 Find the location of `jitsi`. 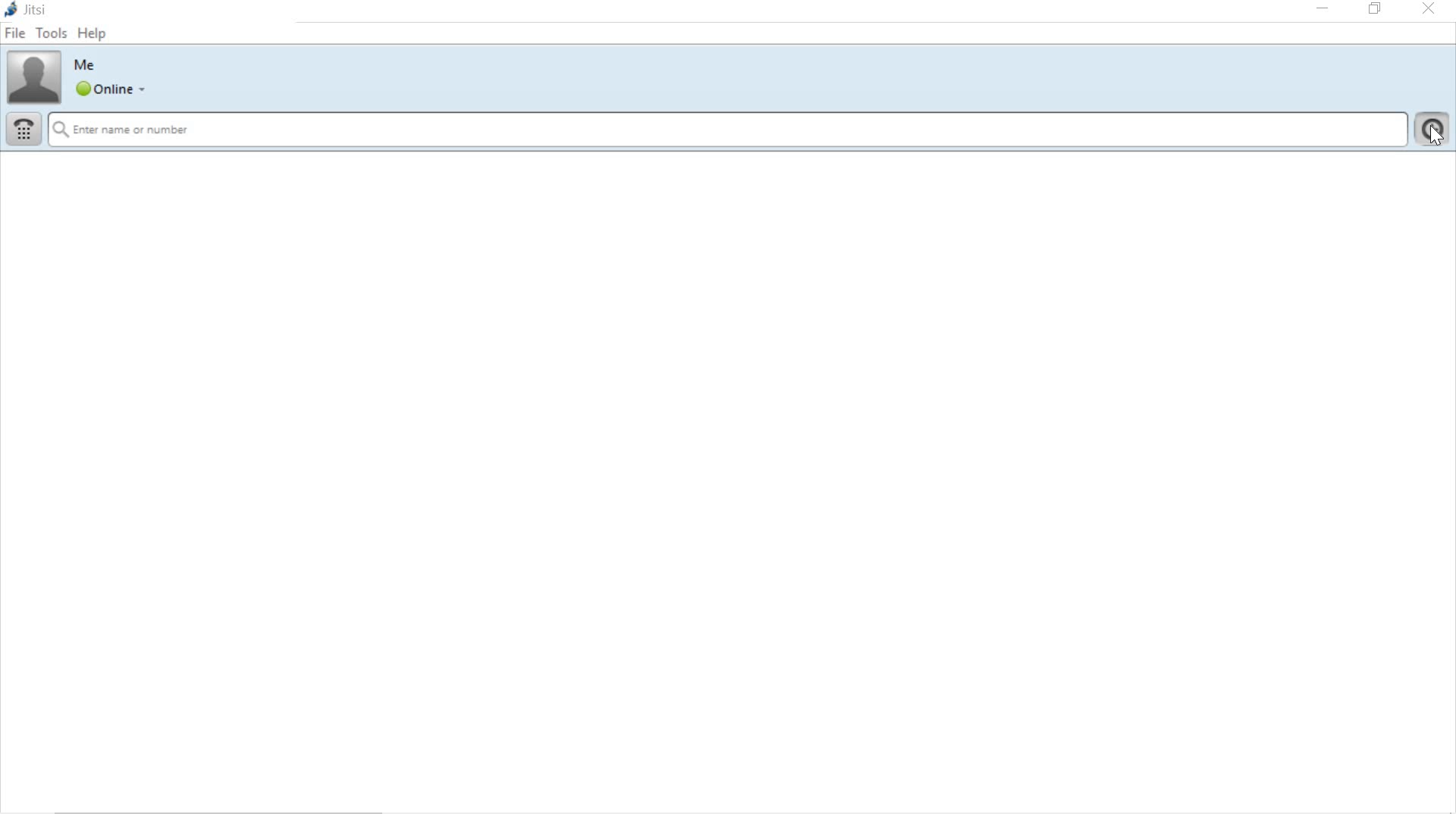

jitsi is located at coordinates (30, 11).